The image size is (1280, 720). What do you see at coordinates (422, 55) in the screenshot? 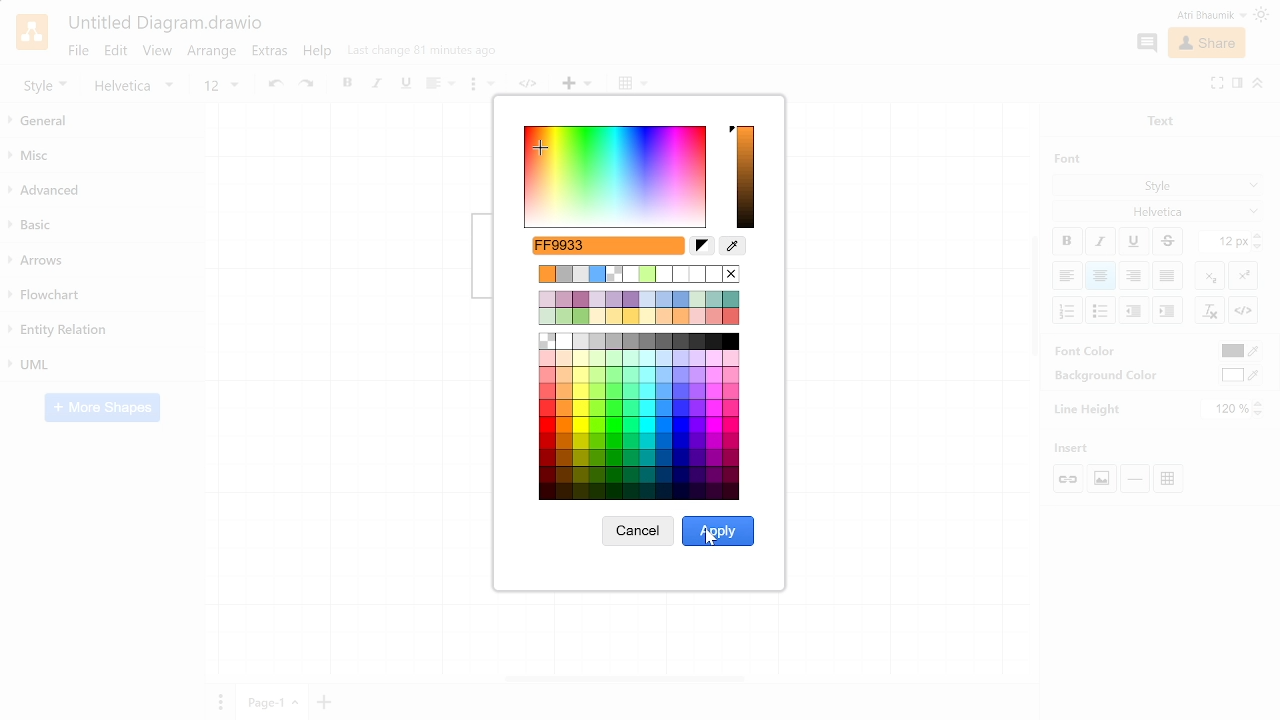
I see `Last change` at bounding box center [422, 55].